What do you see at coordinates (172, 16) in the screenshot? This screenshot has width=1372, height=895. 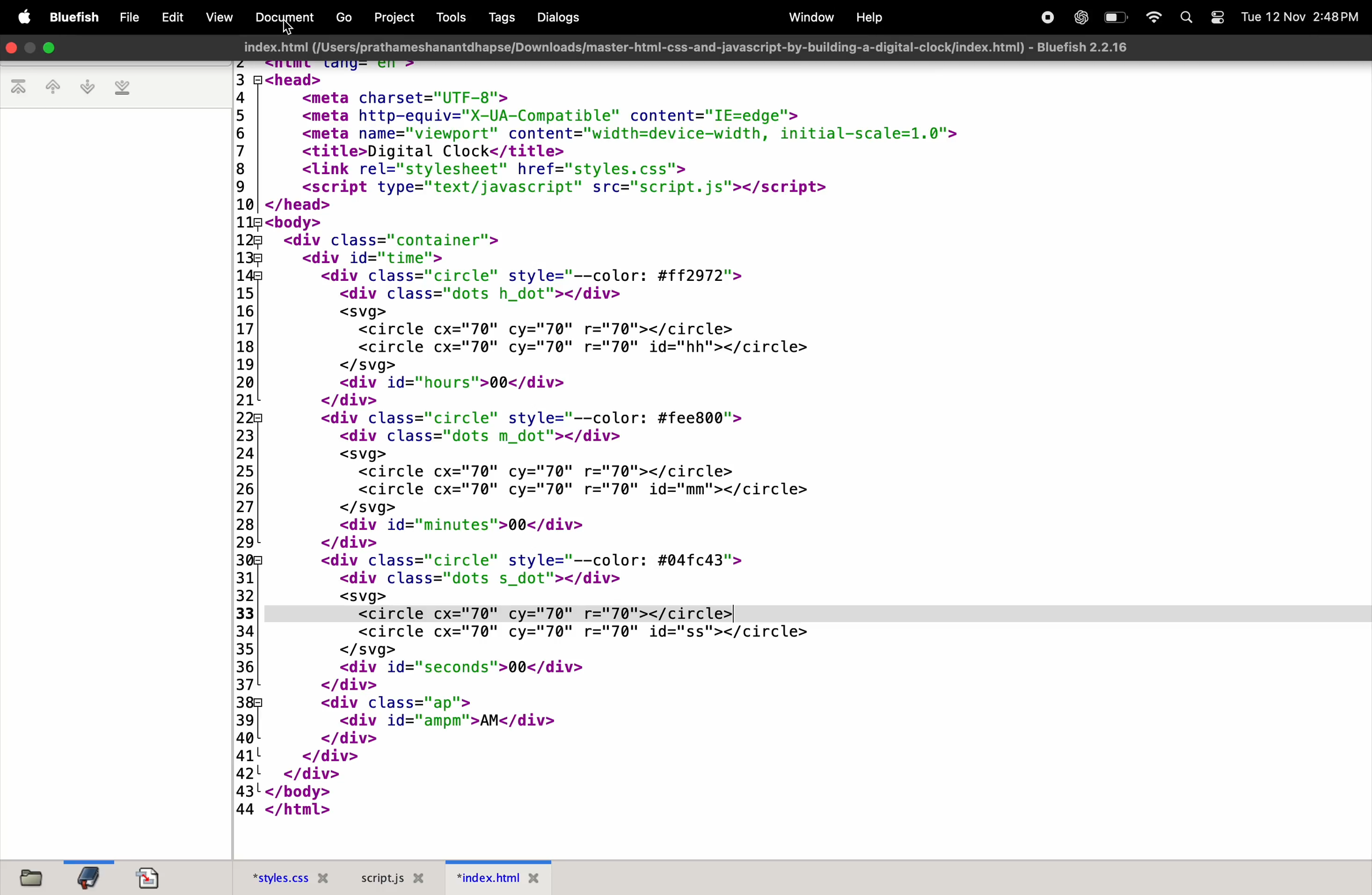 I see `edit` at bounding box center [172, 16].